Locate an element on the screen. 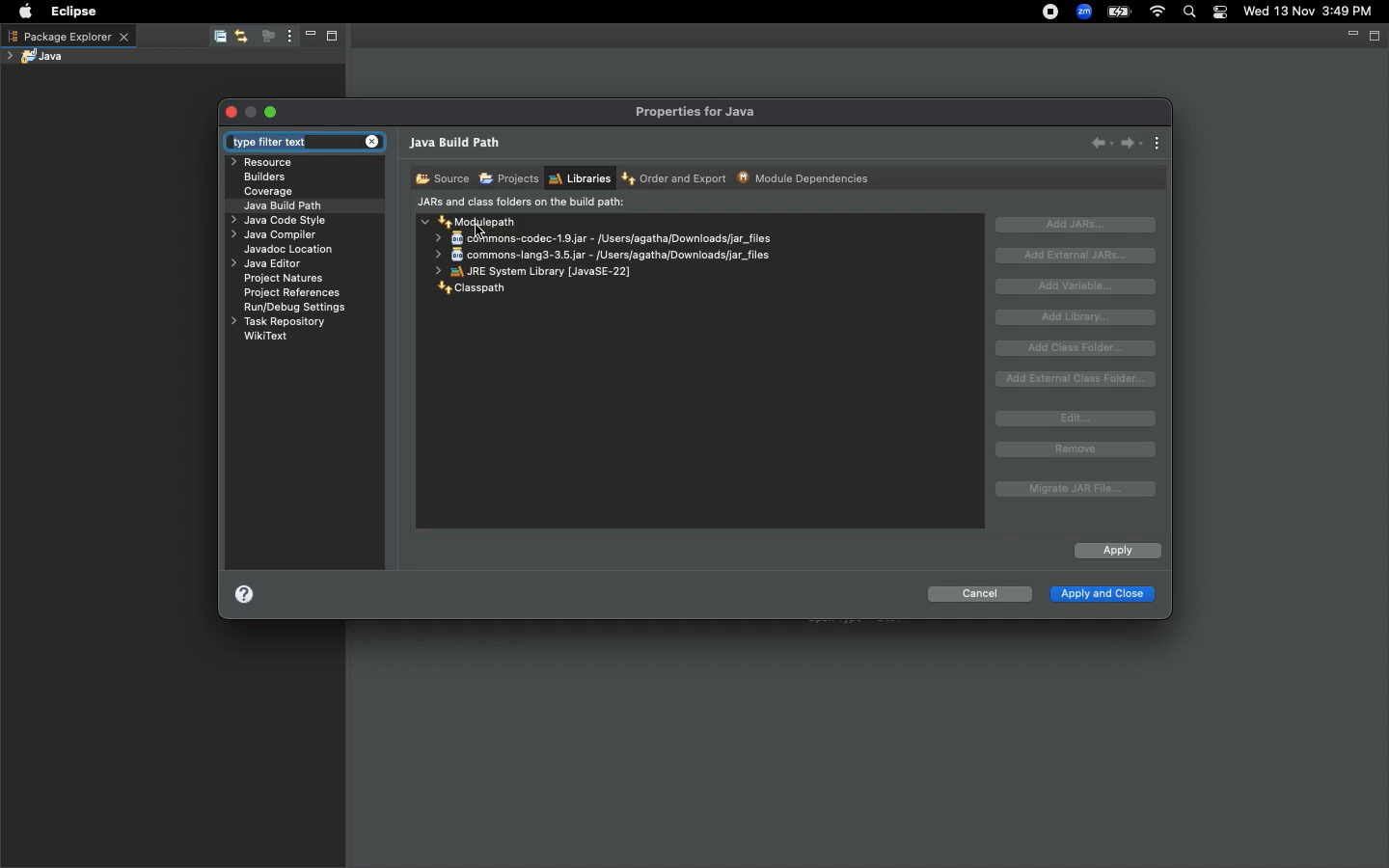 The height and width of the screenshot is (868, 1389). Order and export is located at coordinates (676, 179).